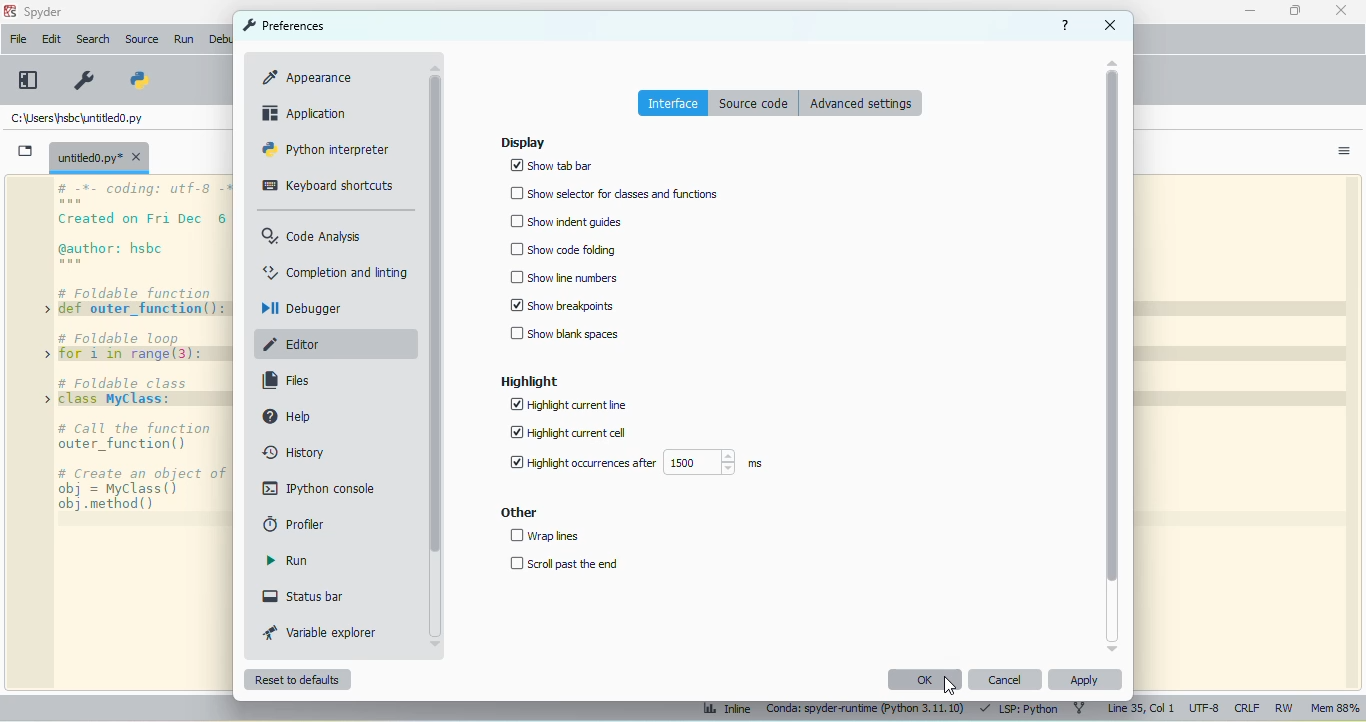 The image size is (1366, 722). What do you see at coordinates (562, 305) in the screenshot?
I see `show breakpoints` at bounding box center [562, 305].